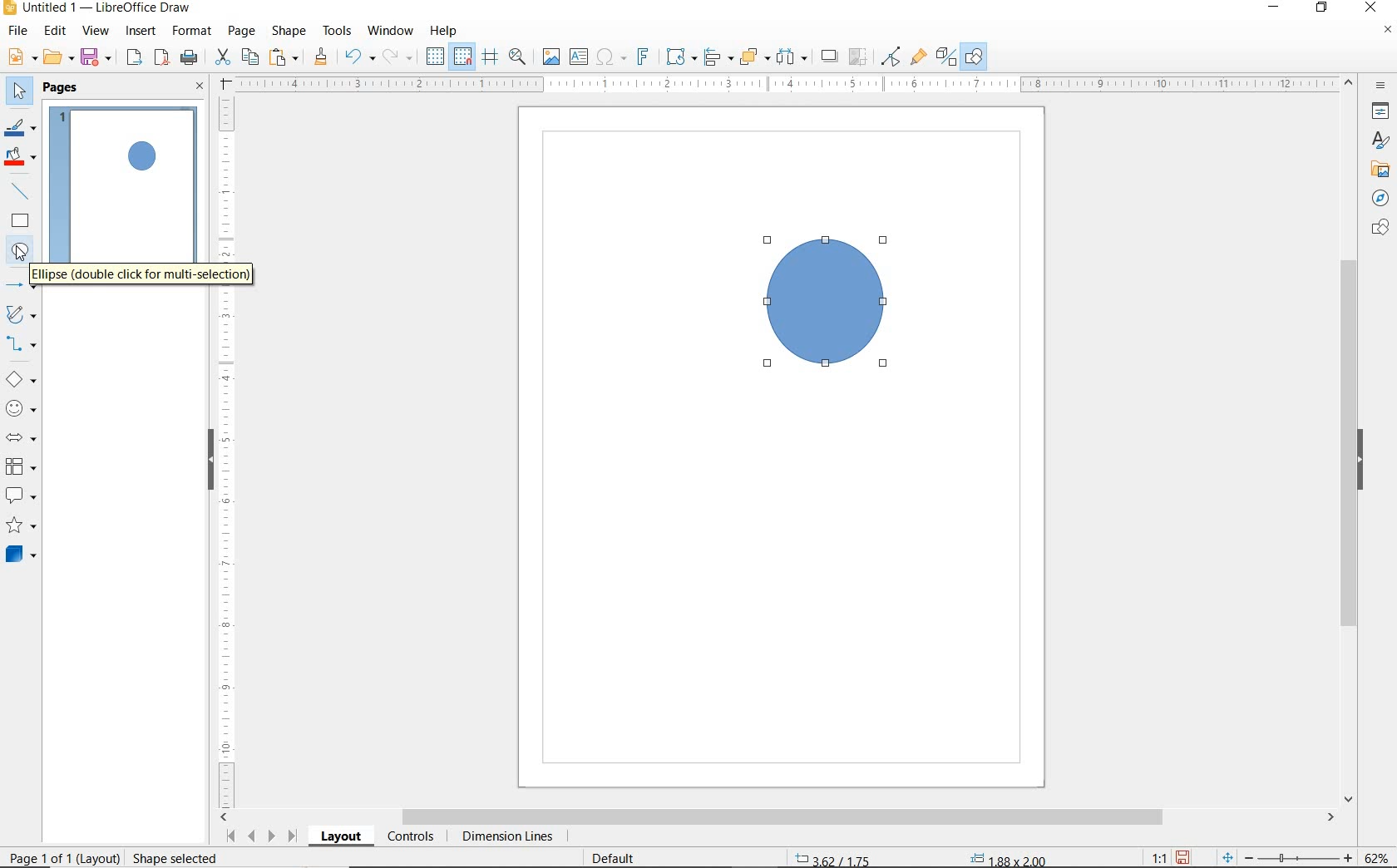  Describe the element at coordinates (1378, 170) in the screenshot. I see `GALLERY` at that location.